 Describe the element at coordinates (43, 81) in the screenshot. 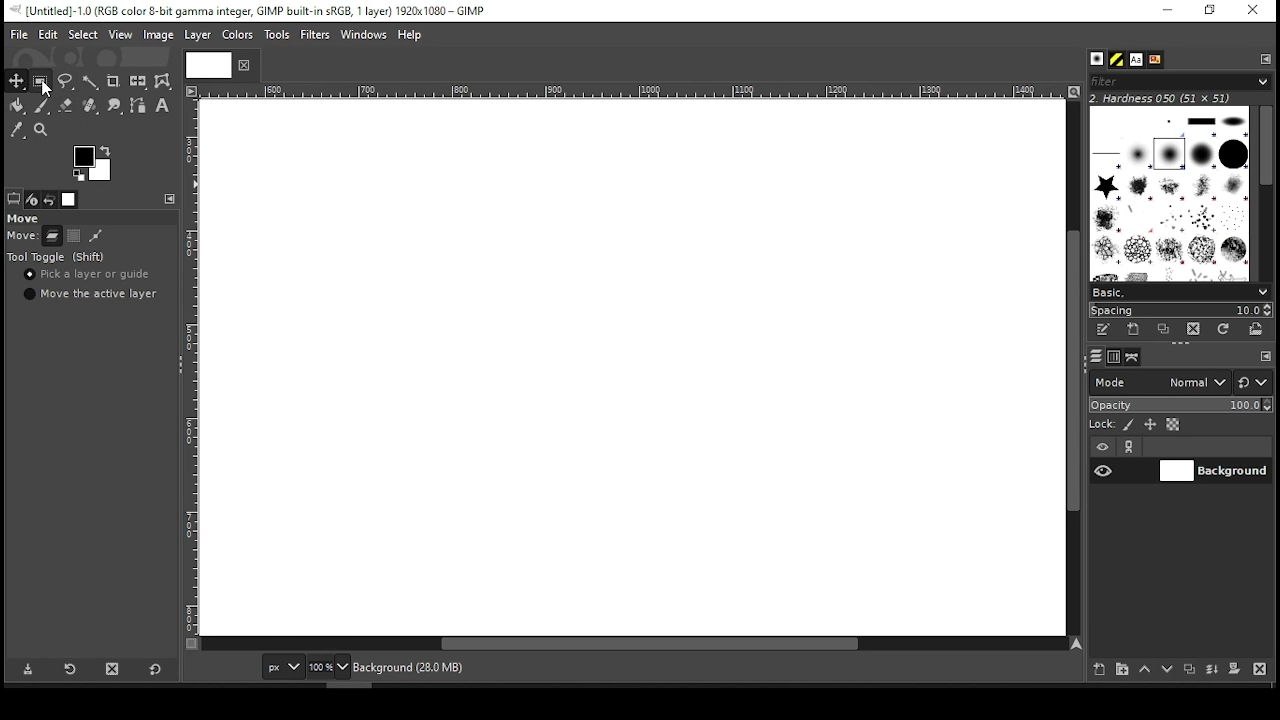

I see `rectangular selection tool` at that location.